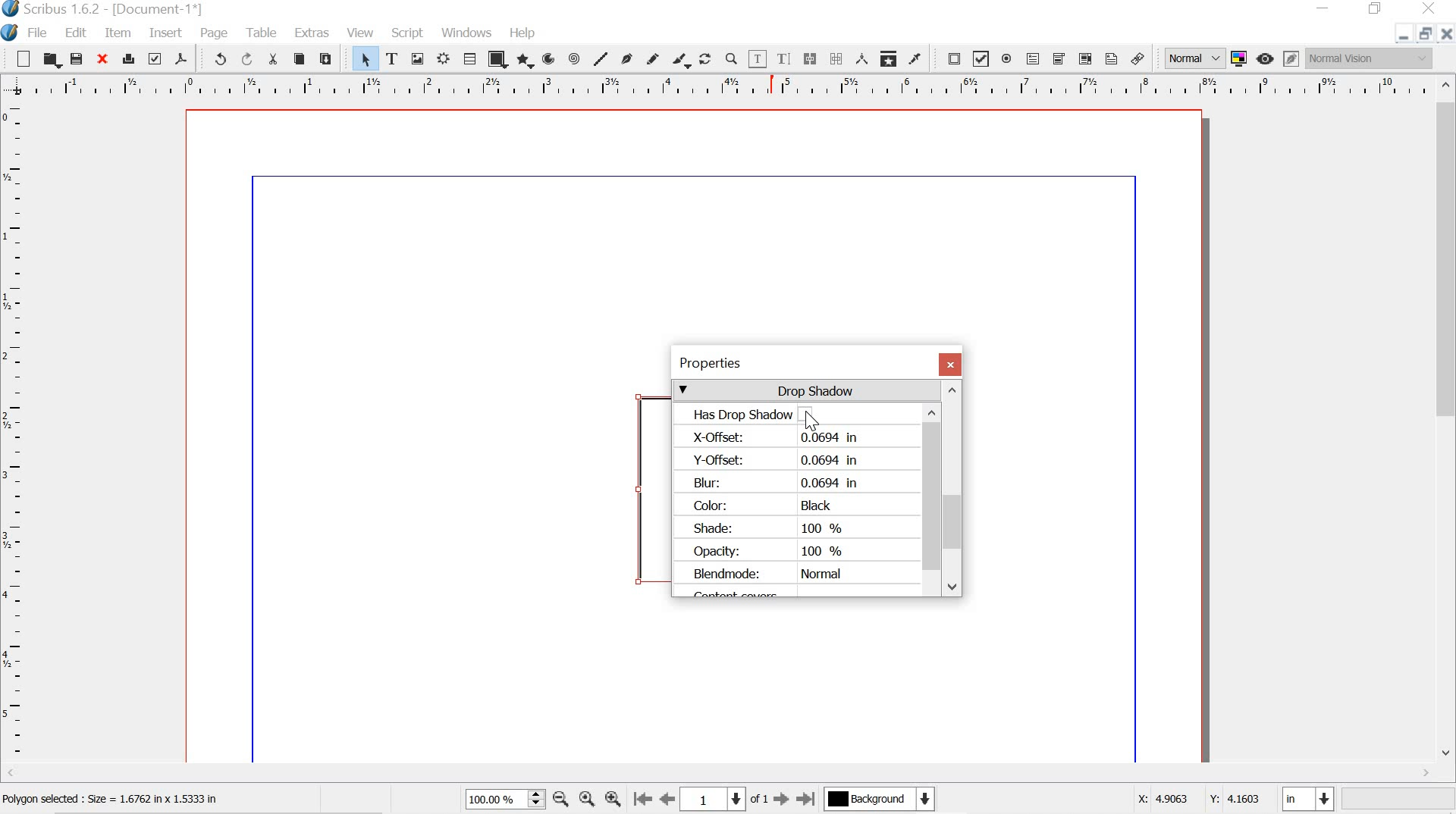 This screenshot has height=814, width=1456. I want to click on close, so click(101, 58).